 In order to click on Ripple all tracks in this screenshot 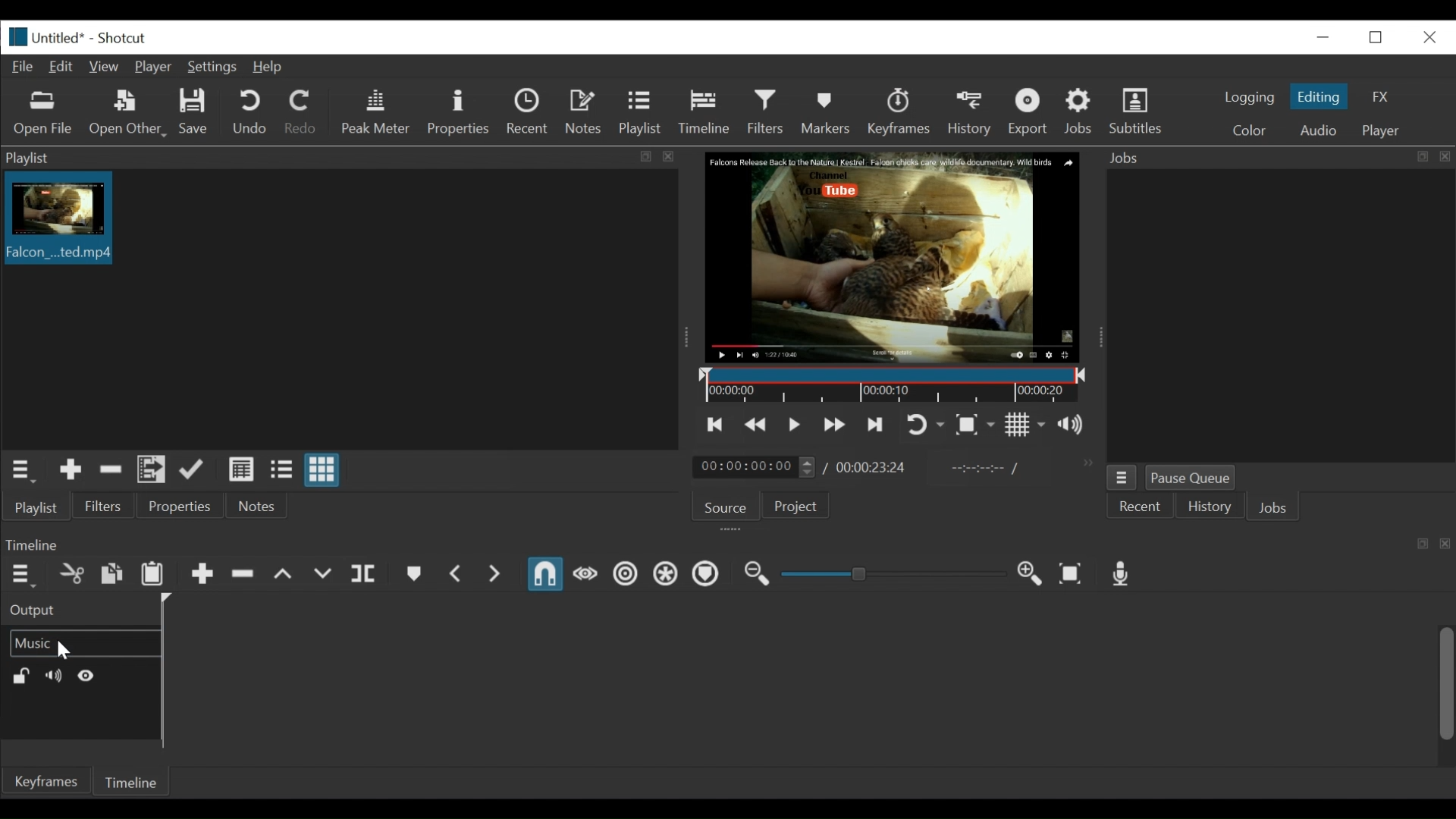, I will do `click(665, 574)`.